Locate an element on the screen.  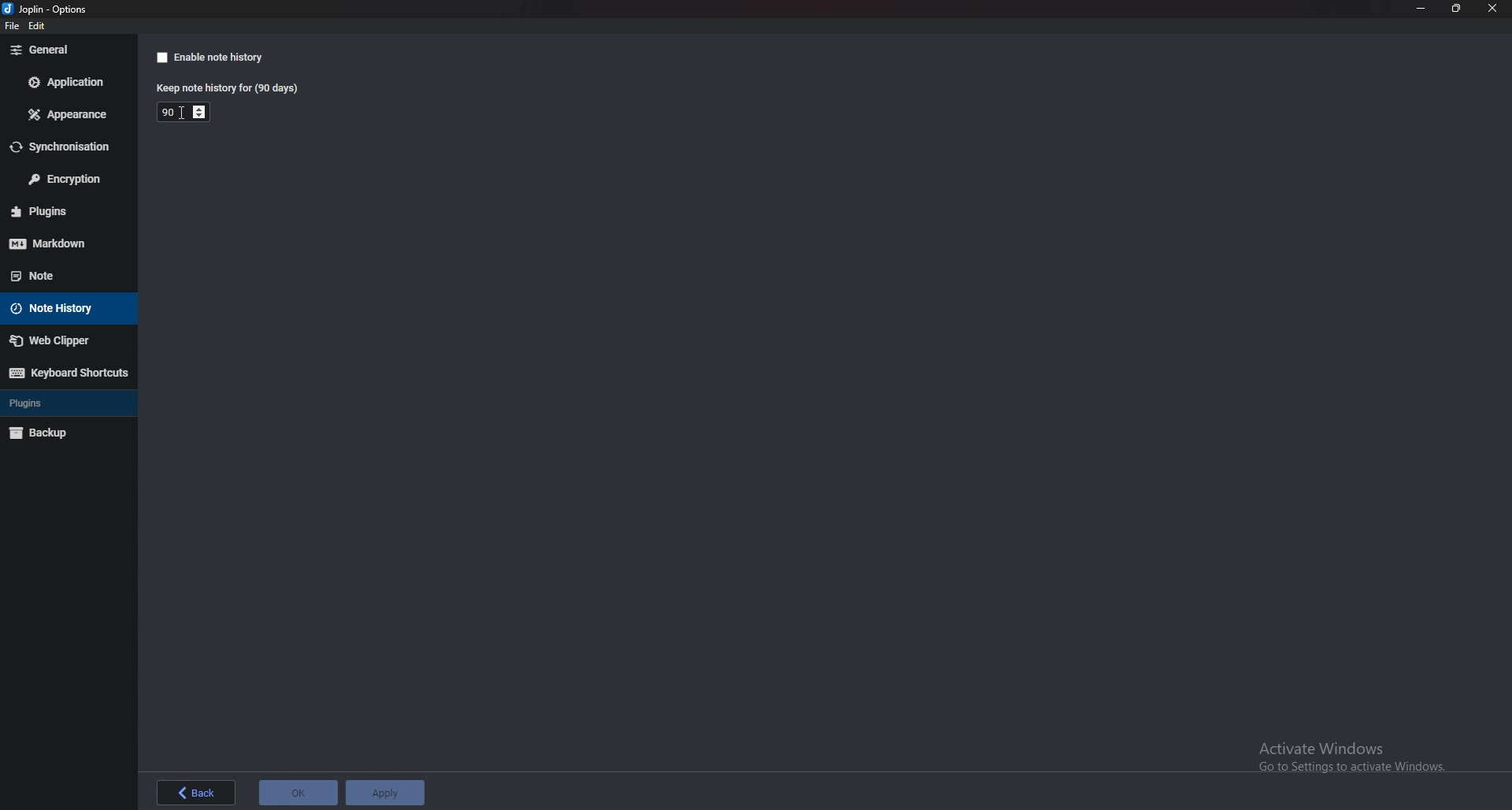
General is located at coordinates (64, 50).